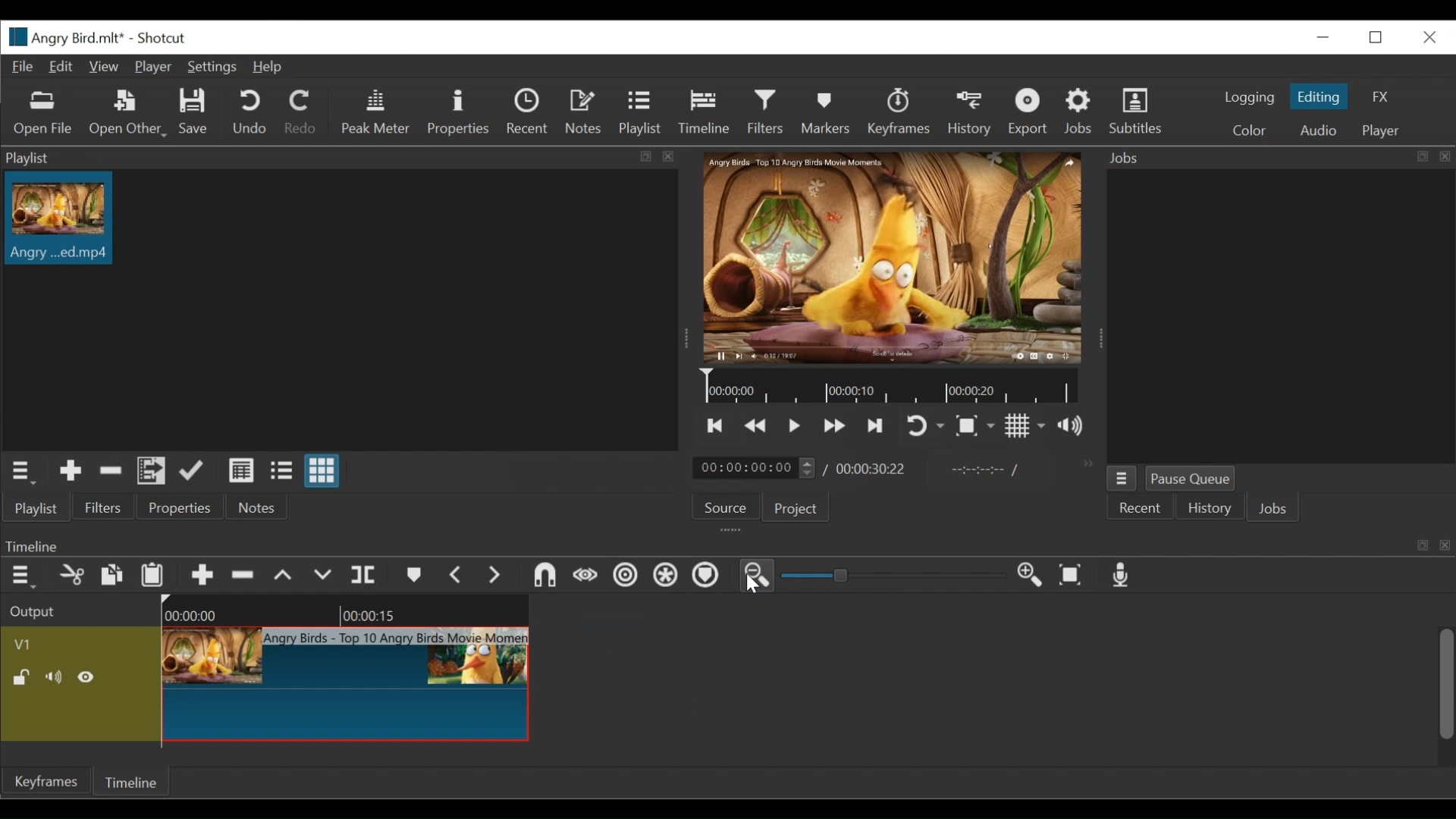 The height and width of the screenshot is (819, 1456). I want to click on Play backwards quickly, so click(757, 426).